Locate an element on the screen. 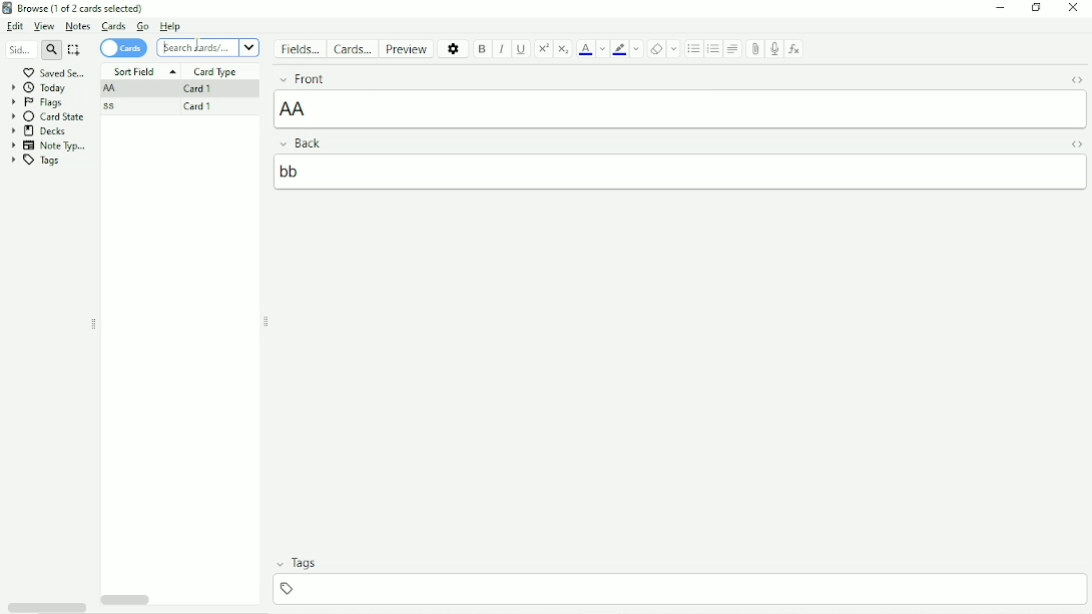 The height and width of the screenshot is (614, 1092). Horizontal scrollbar is located at coordinates (46, 608).